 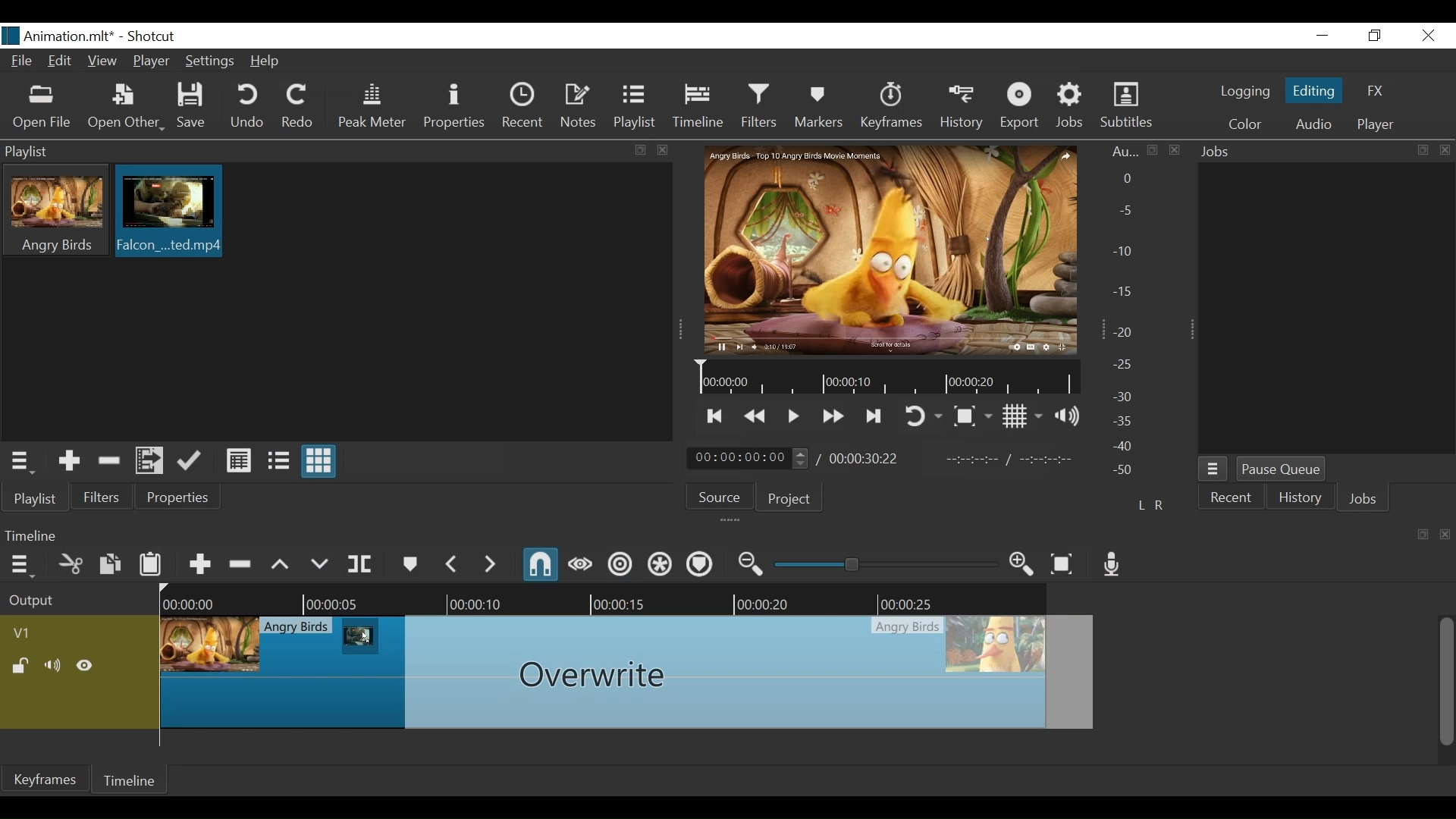 I want to click on Export, so click(x=1020, y=108).